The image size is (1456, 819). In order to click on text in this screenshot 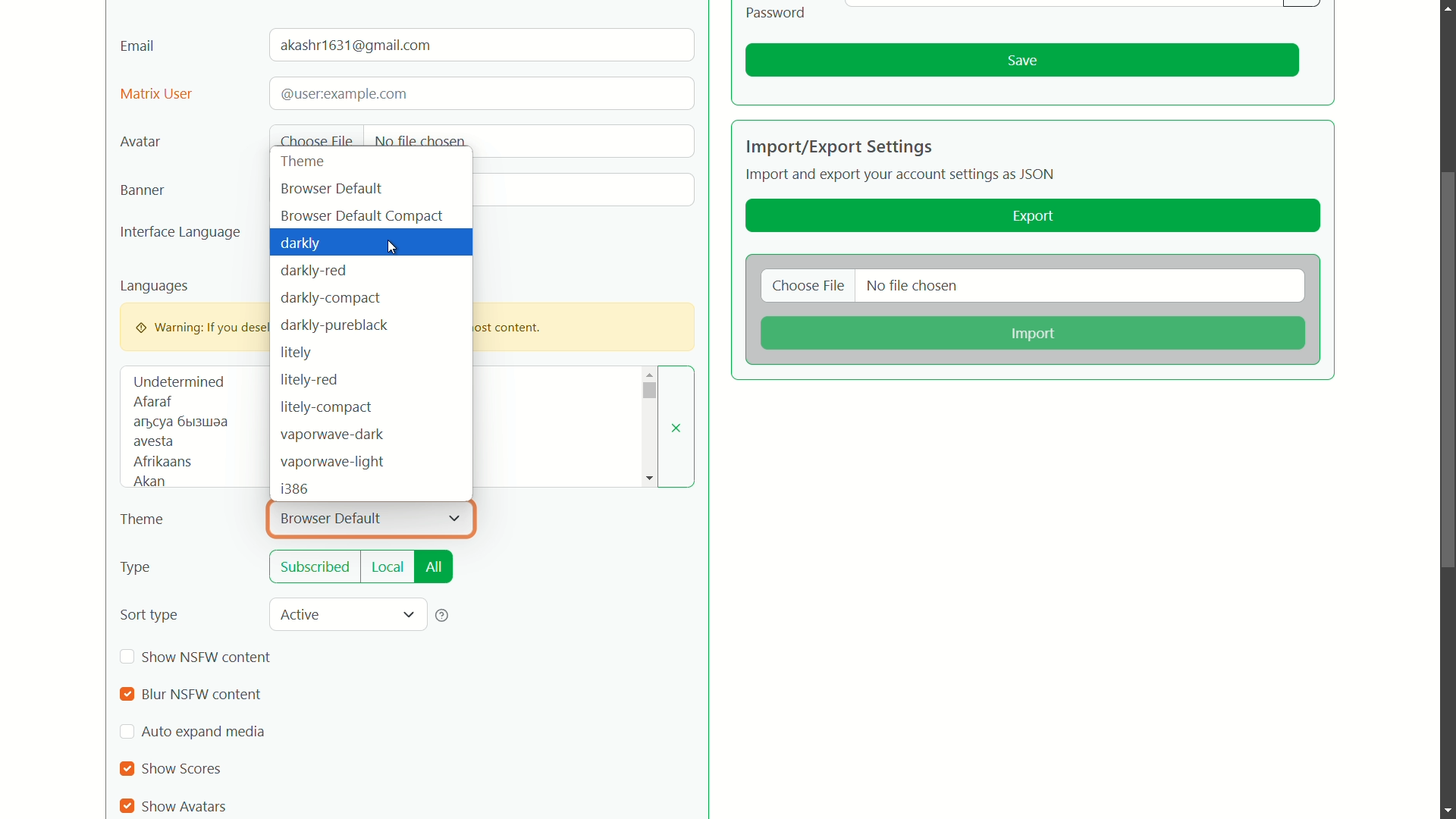, I will do `click(342, 93)`.